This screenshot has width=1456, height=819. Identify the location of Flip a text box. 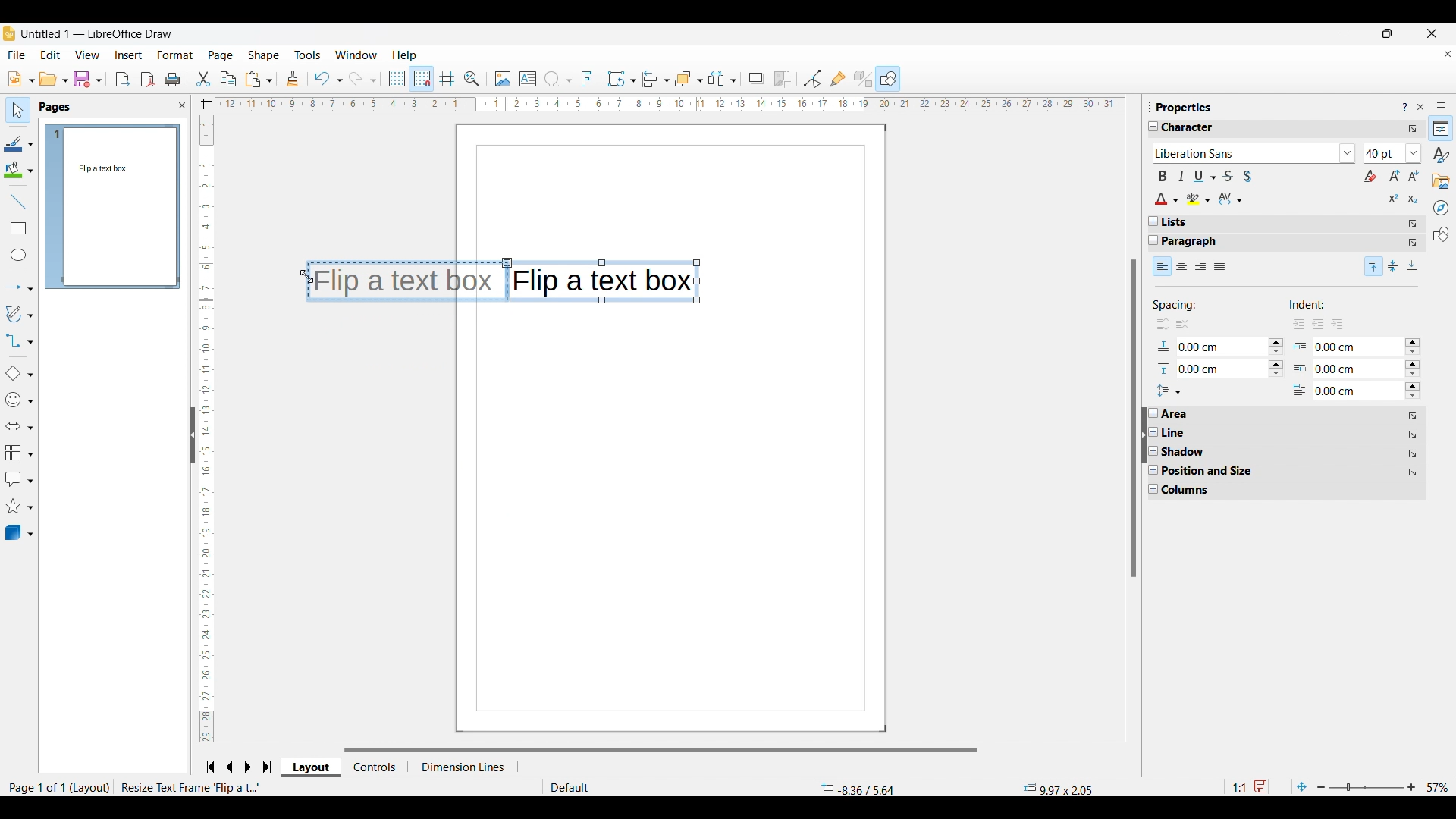
(606, 281).